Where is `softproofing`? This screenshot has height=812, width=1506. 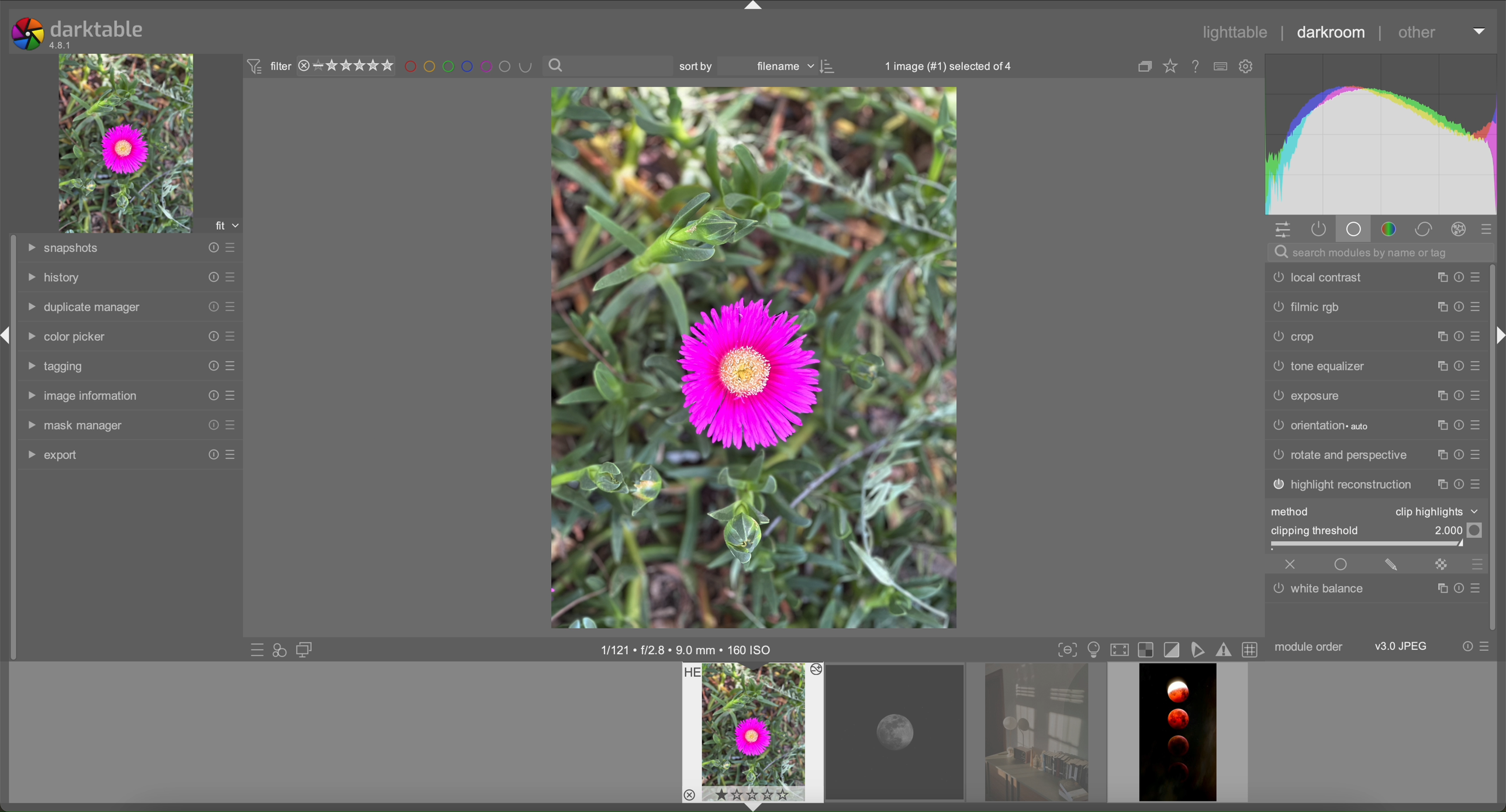 softproofing is located at coordinates (1202, 649).